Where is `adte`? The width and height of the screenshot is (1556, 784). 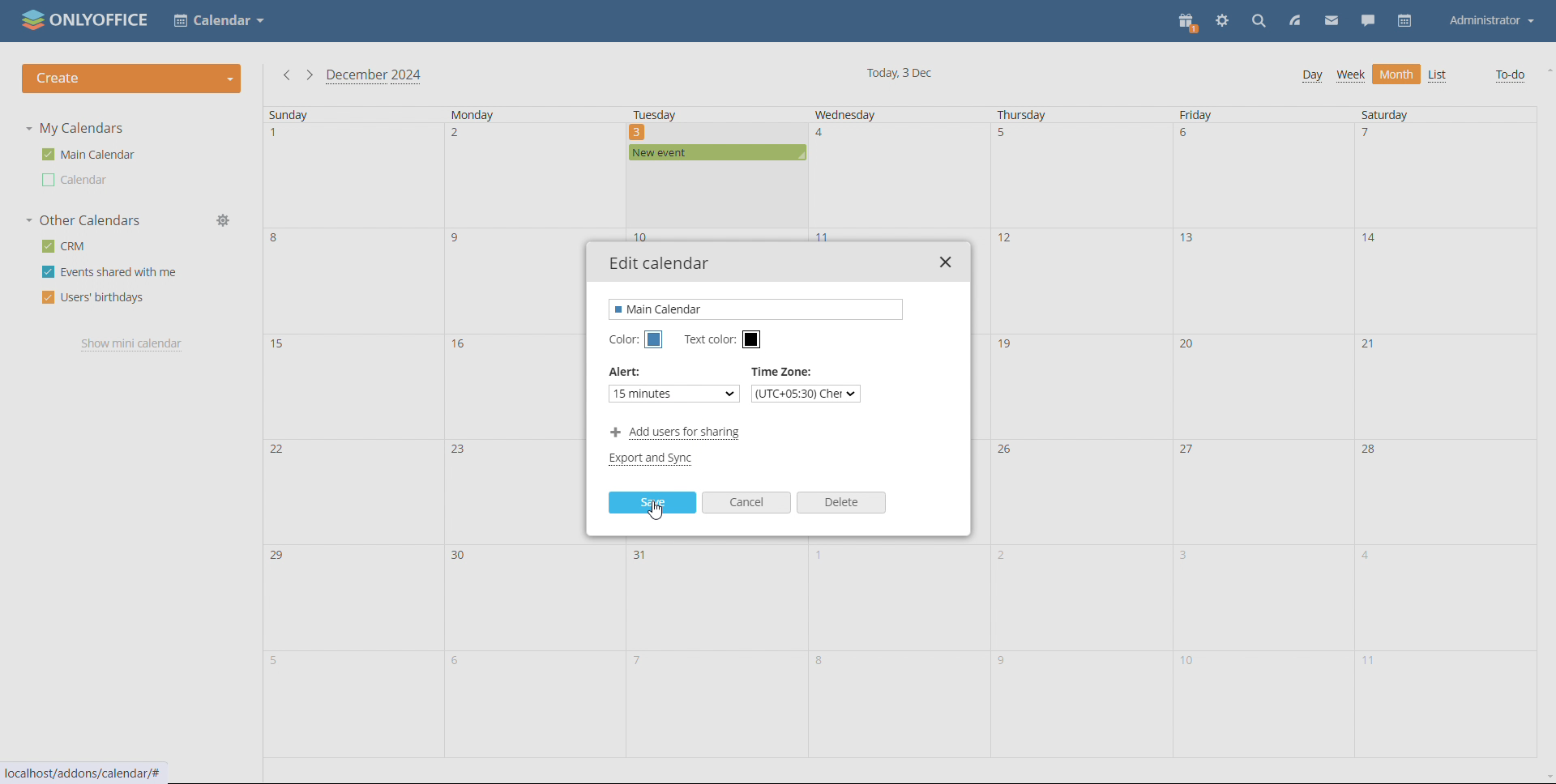 adte is located at coordinates (1079, 492).